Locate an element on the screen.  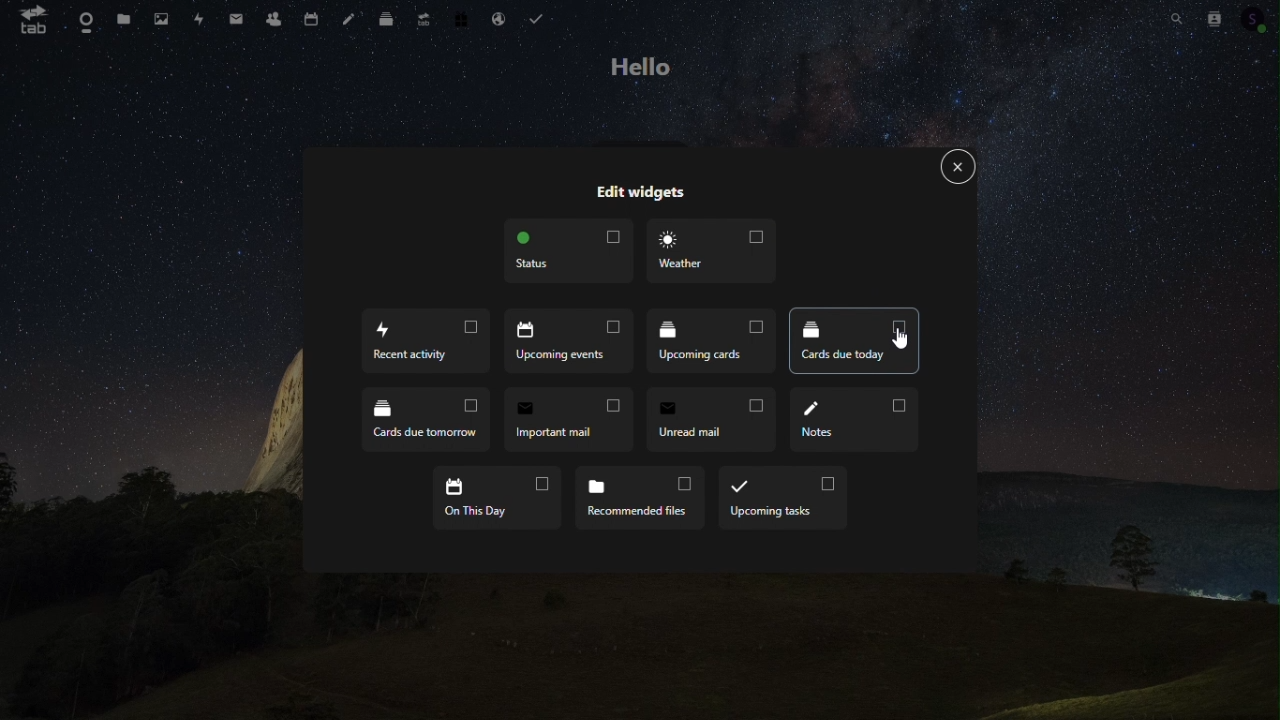
Contacts is located at coordinates (276, 19).